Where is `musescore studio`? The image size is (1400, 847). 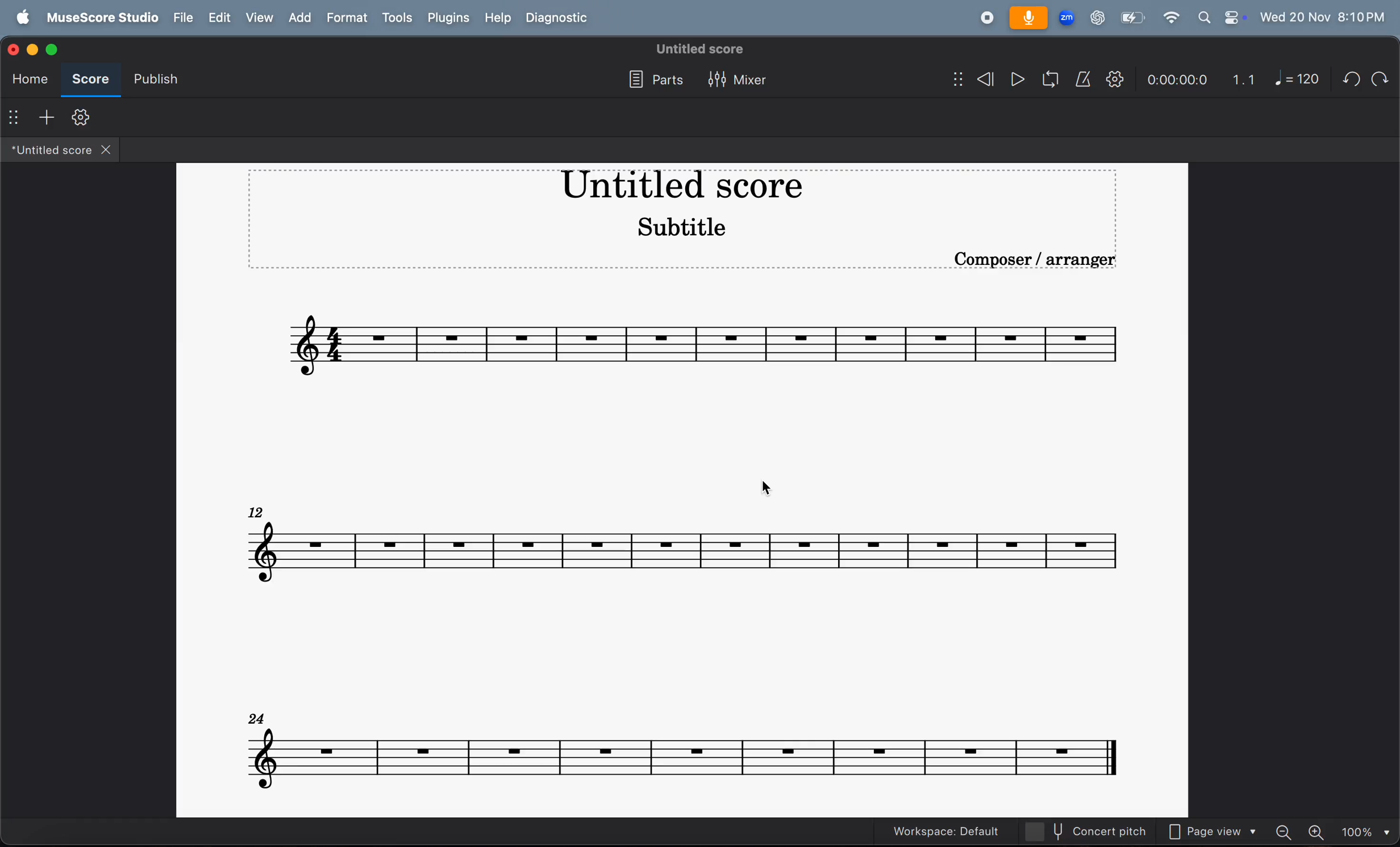
musescore studio is located at coordinates (98, 17).